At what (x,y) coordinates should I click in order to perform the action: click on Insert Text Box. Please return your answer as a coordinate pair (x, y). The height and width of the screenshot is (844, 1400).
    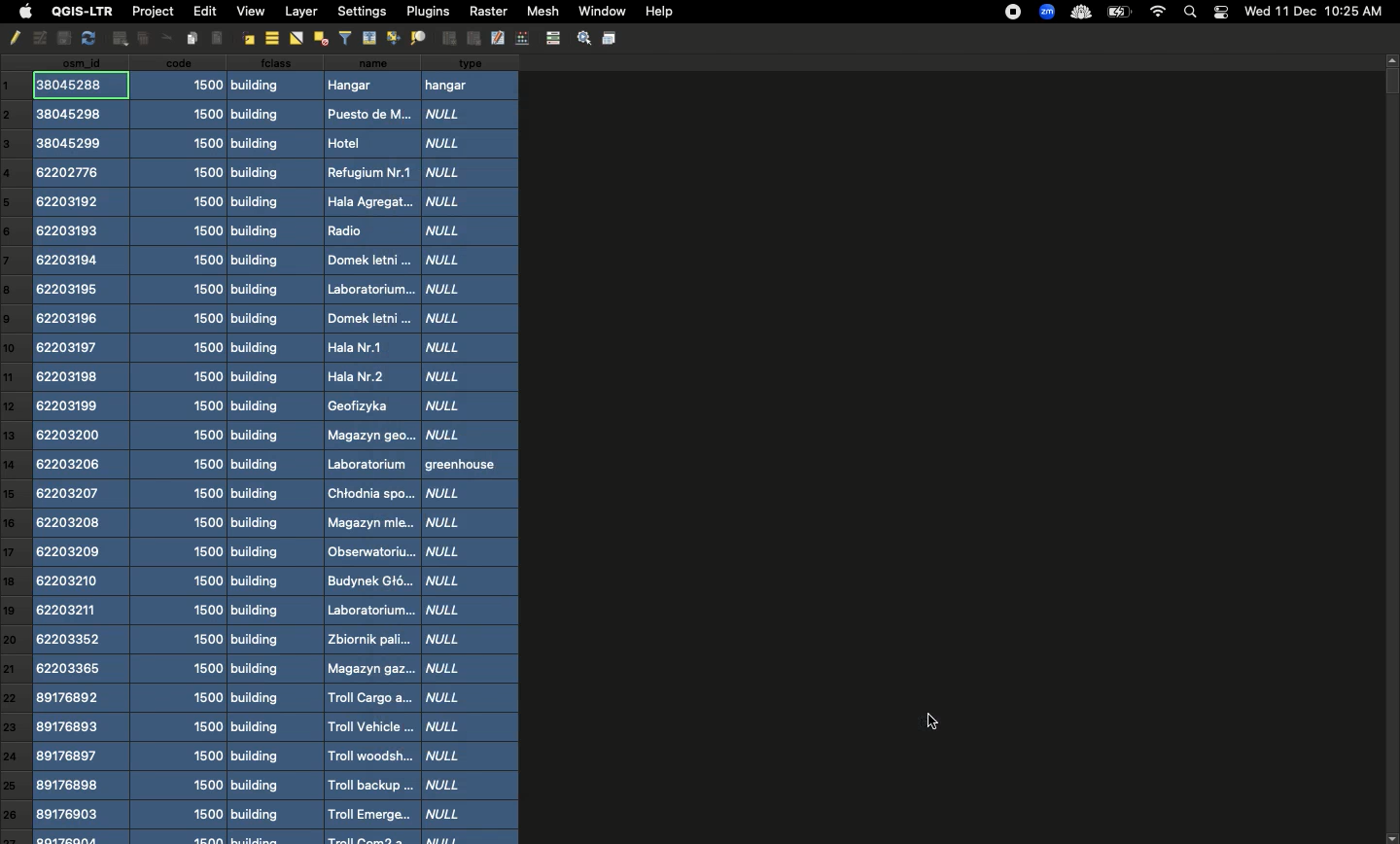
    Looking at the image, I should click on (139, 39).